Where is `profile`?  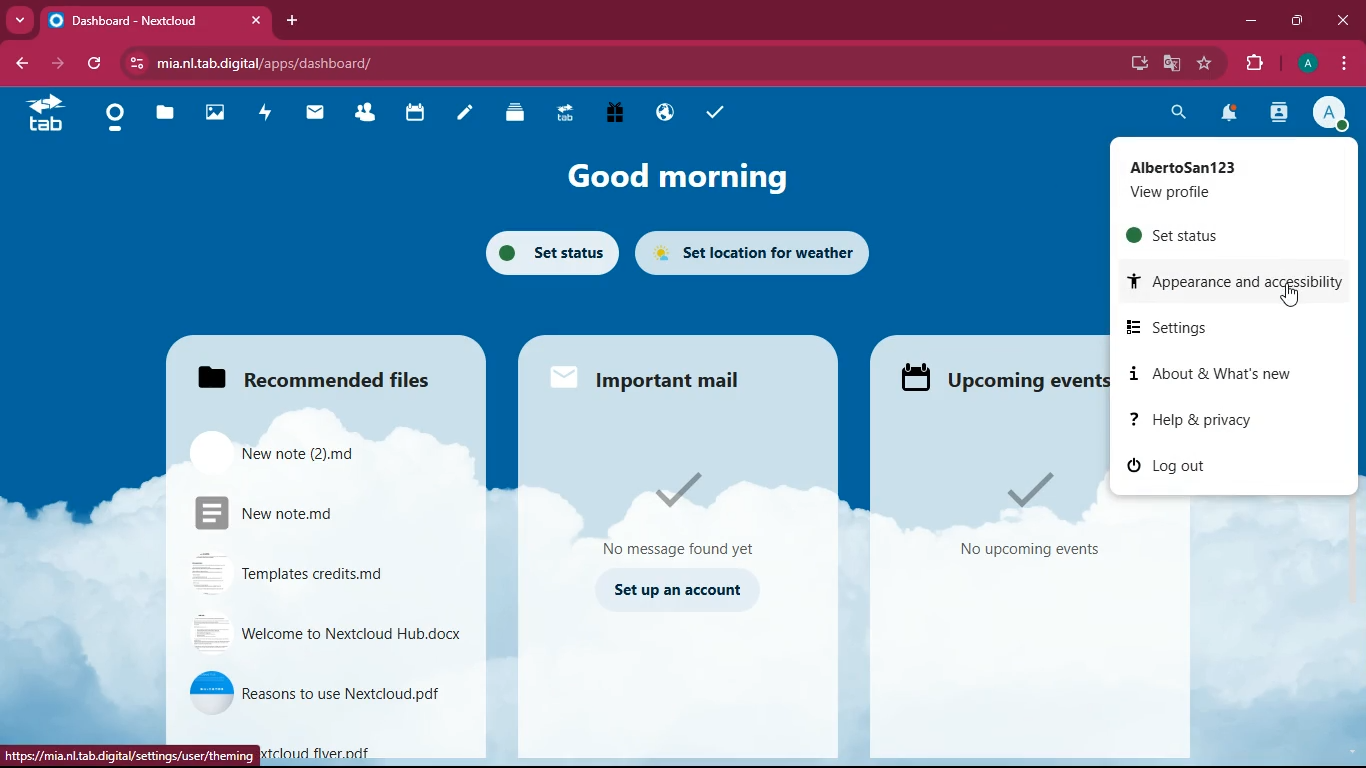 profile is located at coordinates (1328, 114).